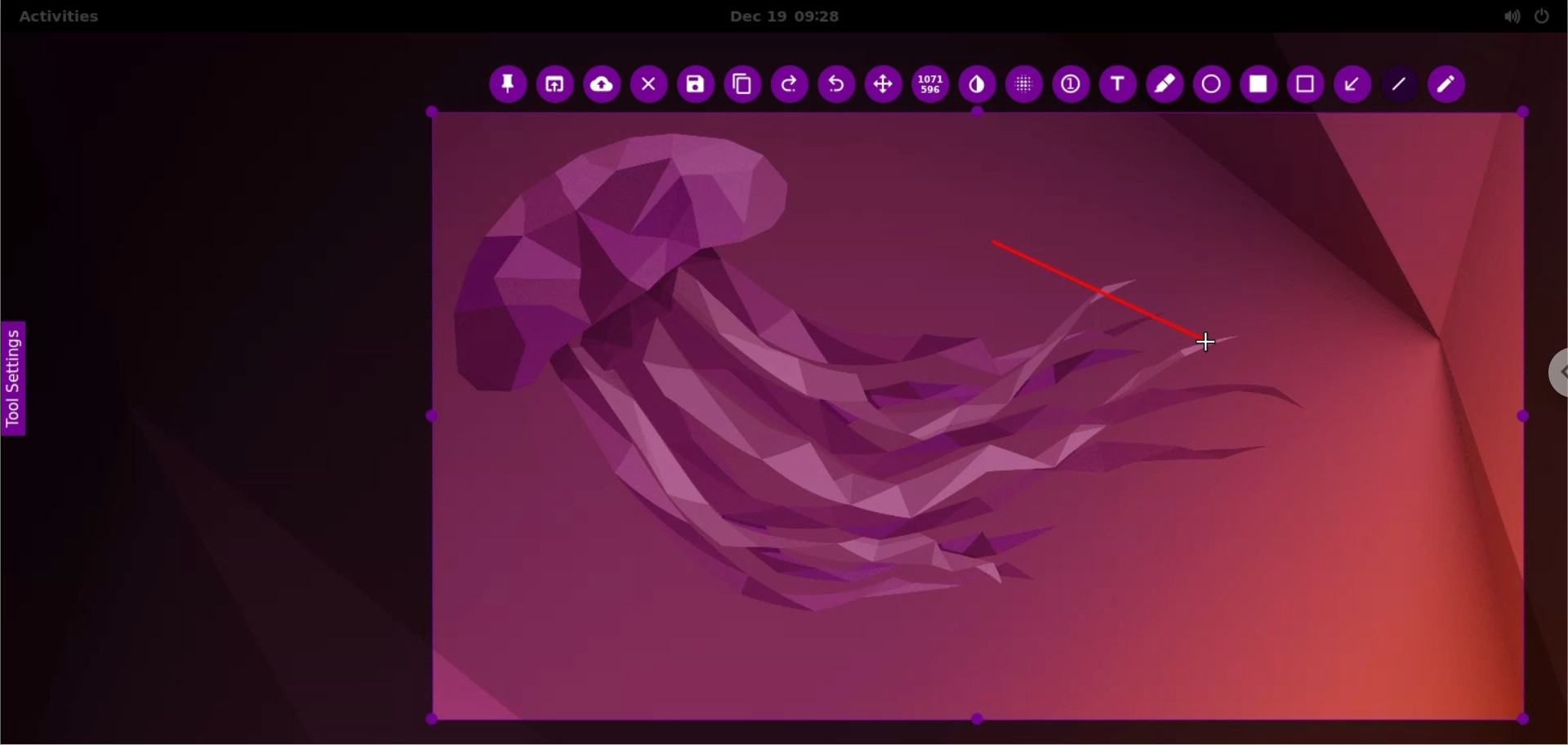 The image size is (1568, 745). I want to click on pin, so click(509, 86).